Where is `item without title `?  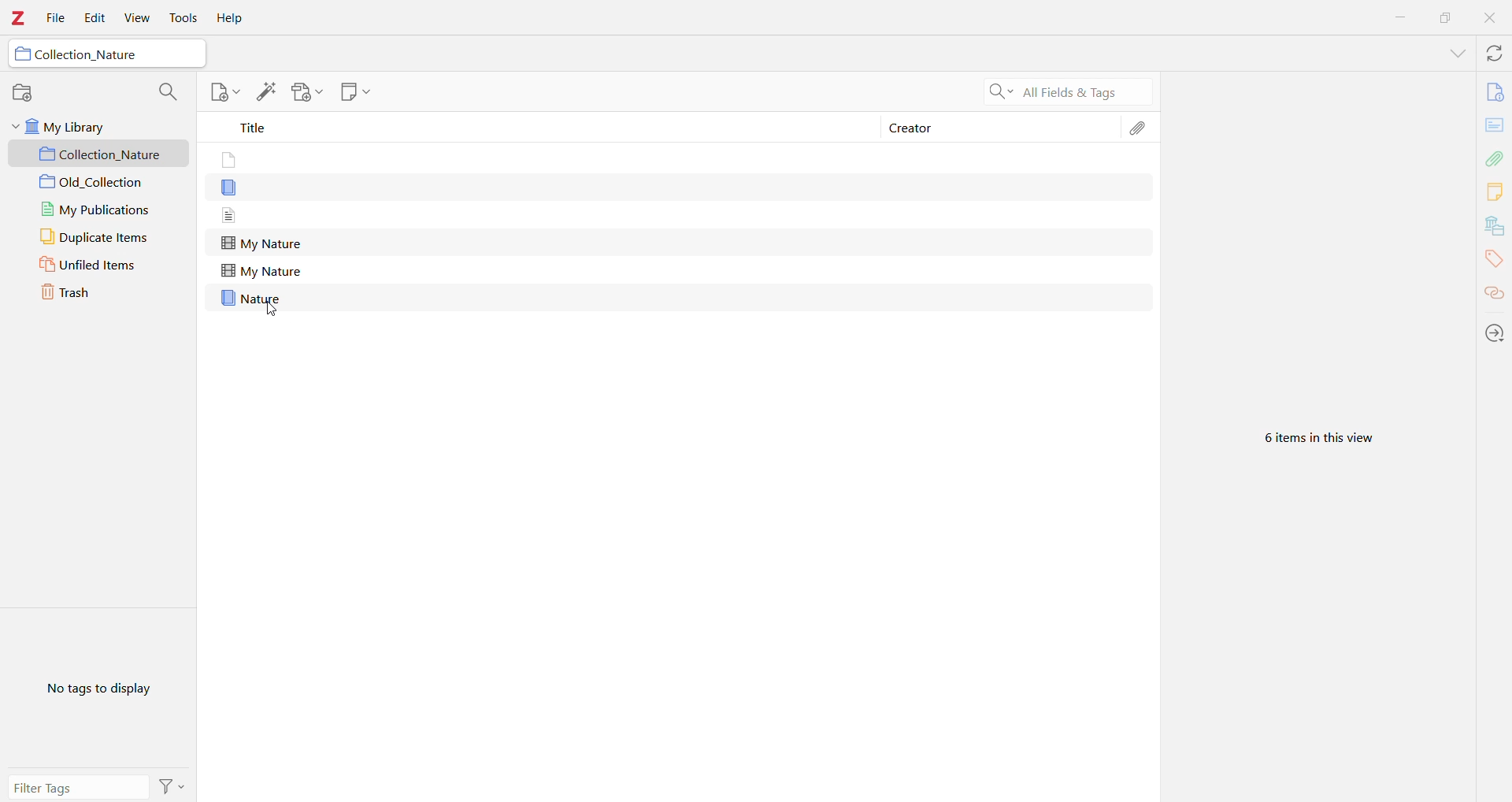
item without title  is located at coordinates (230, 189).